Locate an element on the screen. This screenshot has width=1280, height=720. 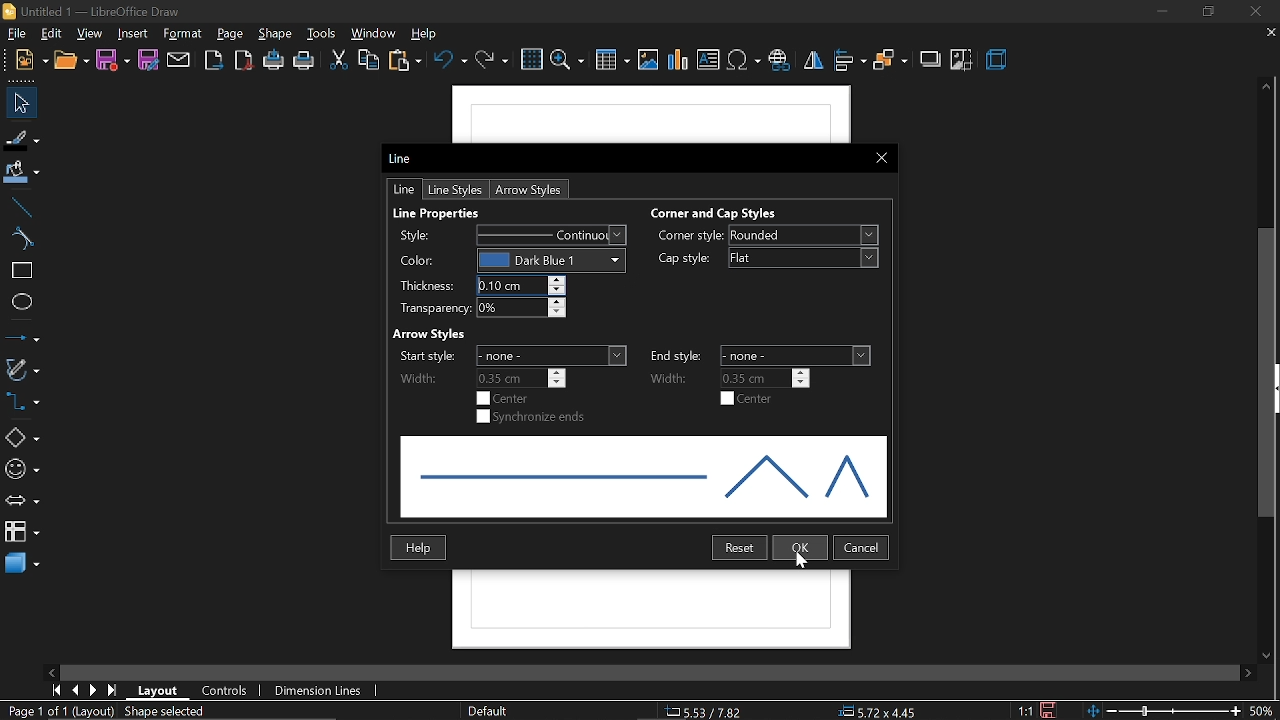
flowchart is located at coordinates (19, 531).